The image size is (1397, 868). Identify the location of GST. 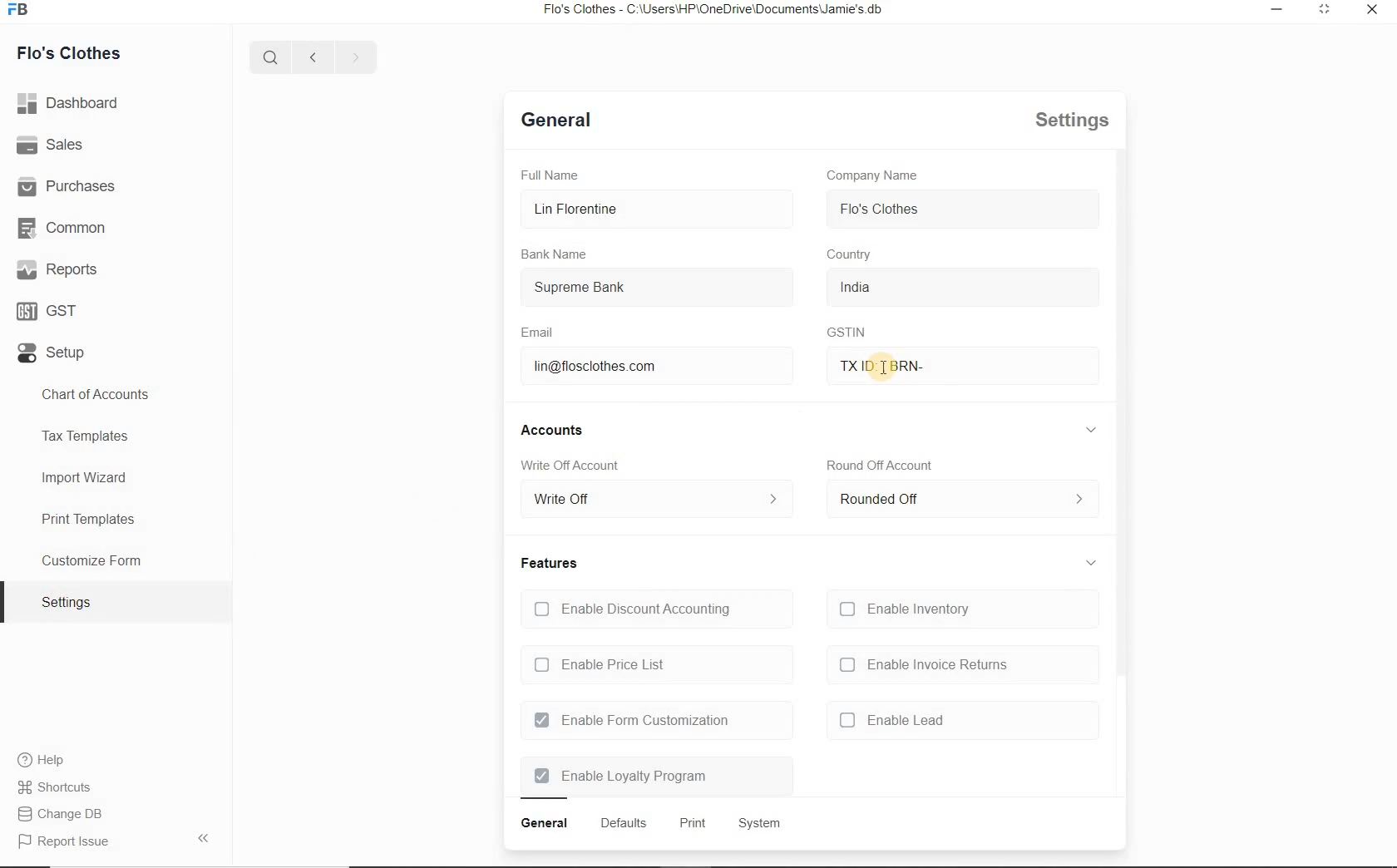
(50, 311).